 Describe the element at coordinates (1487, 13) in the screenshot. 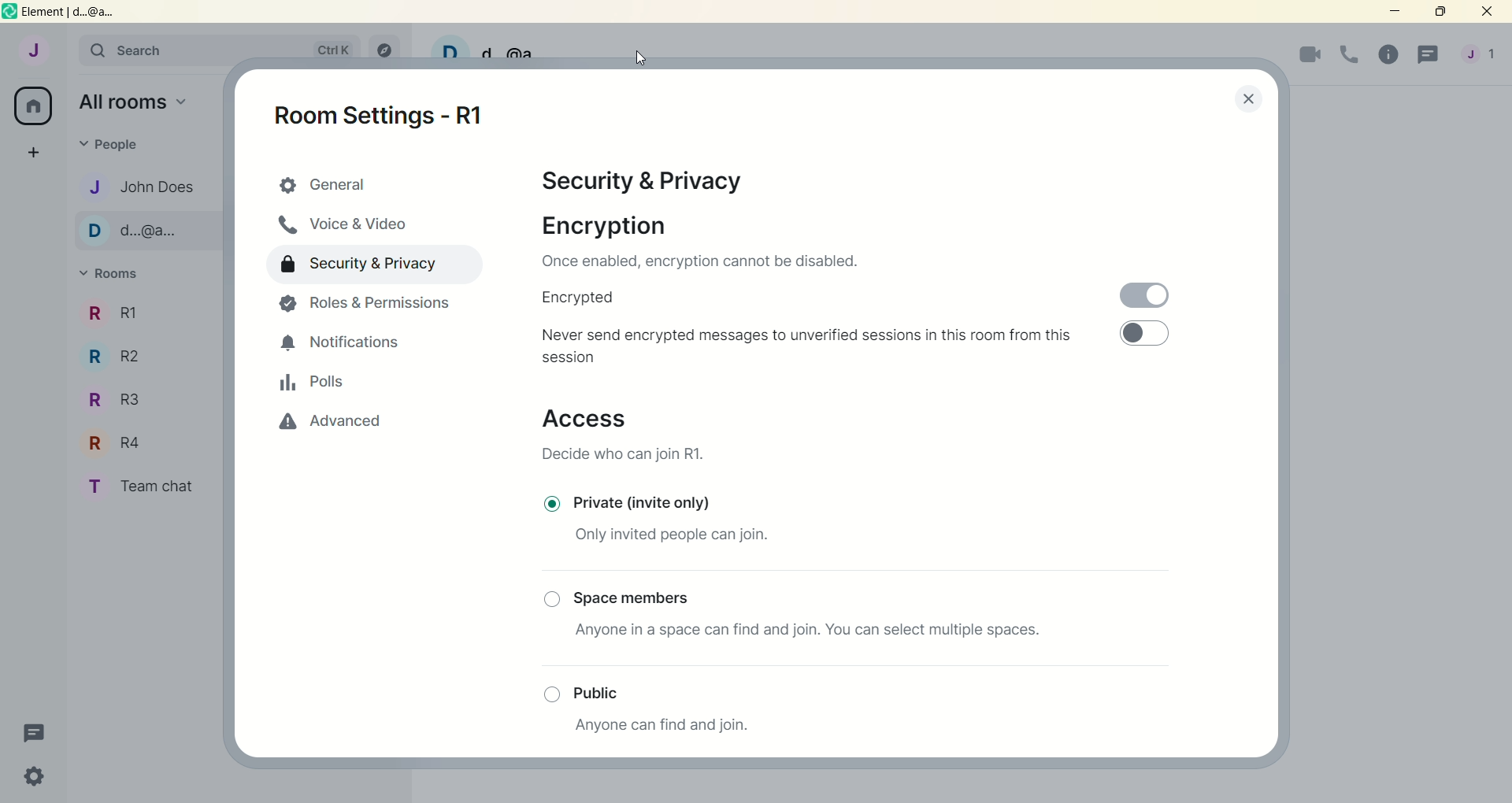

I see `close` at that location.